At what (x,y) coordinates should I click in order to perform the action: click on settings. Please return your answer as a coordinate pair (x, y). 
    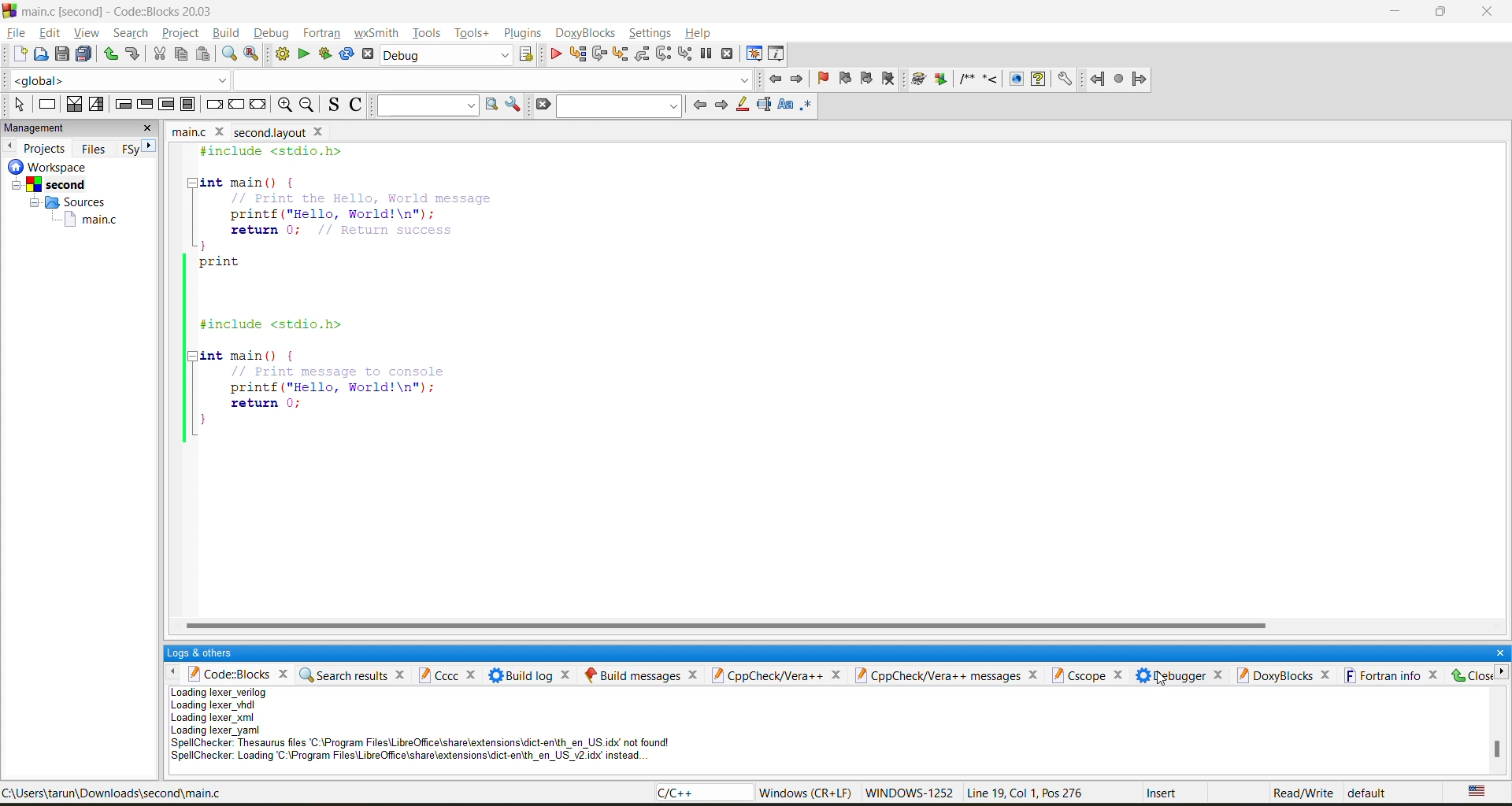
    Looking at the image, I should click on (650, 35).